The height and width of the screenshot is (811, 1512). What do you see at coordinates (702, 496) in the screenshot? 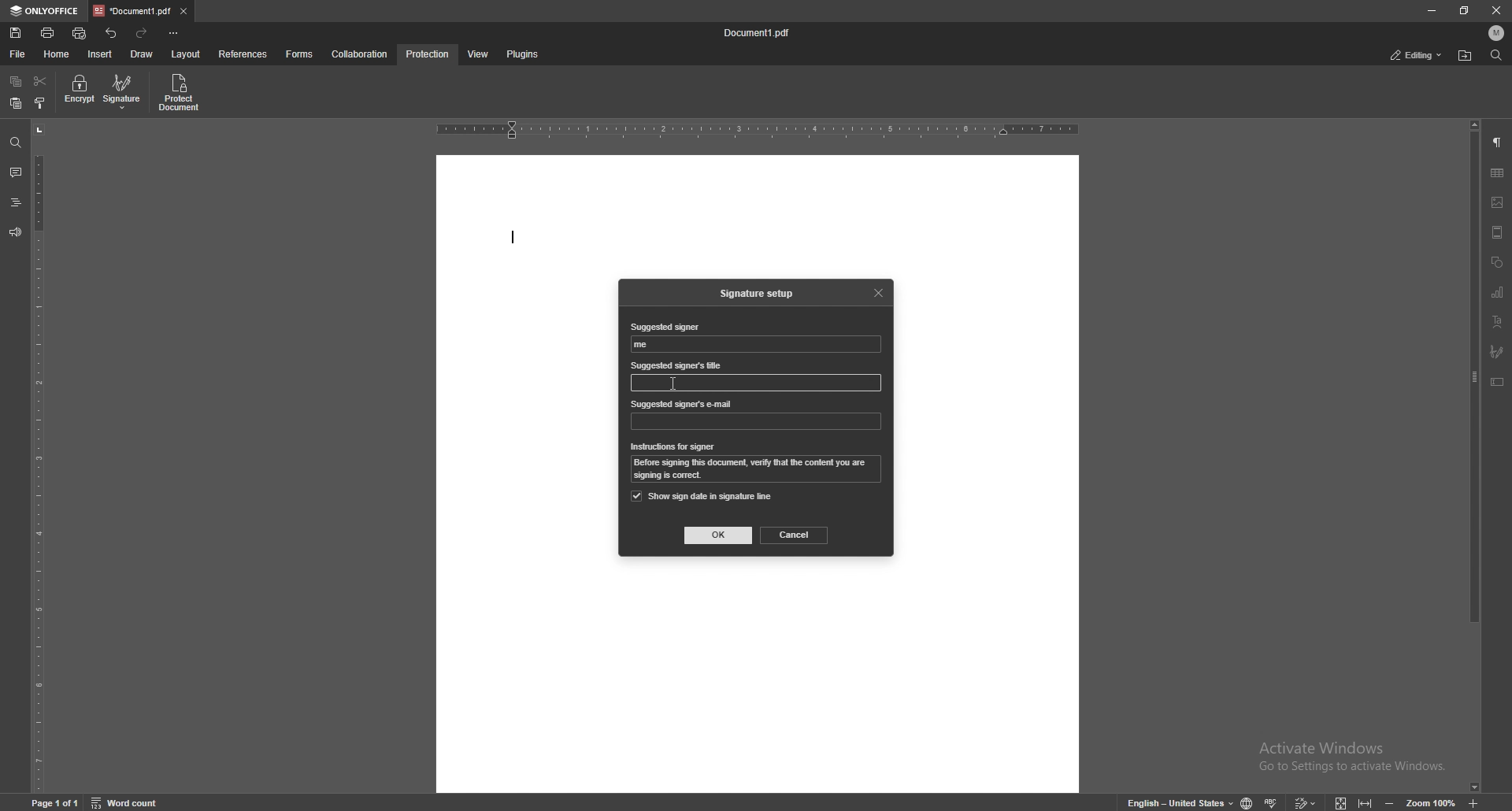
I see `show sign date` at bounding box center [702, 496].